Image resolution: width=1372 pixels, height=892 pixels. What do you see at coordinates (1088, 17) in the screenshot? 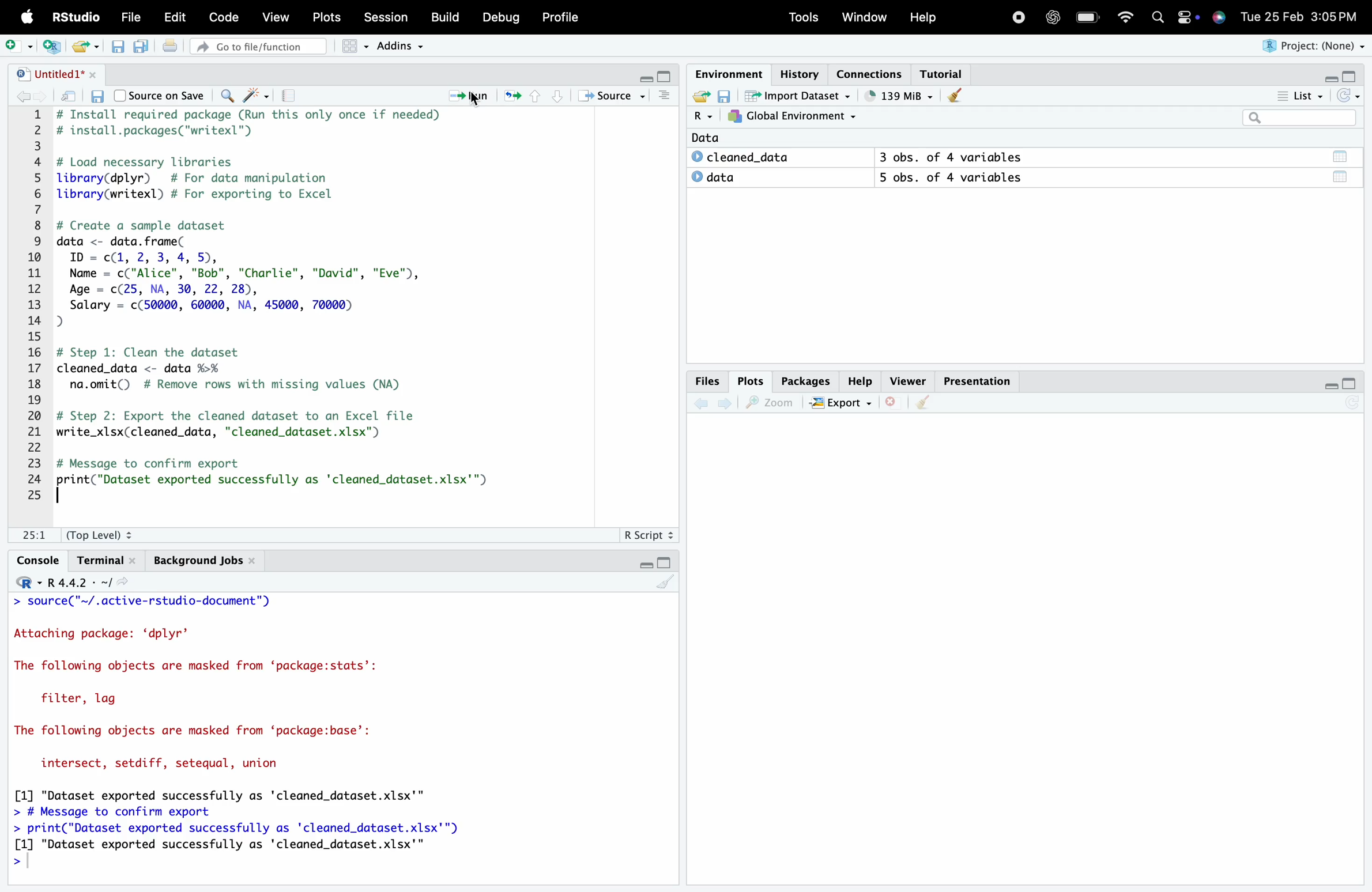
I see `Charging` at bounding box center [1088, 17].